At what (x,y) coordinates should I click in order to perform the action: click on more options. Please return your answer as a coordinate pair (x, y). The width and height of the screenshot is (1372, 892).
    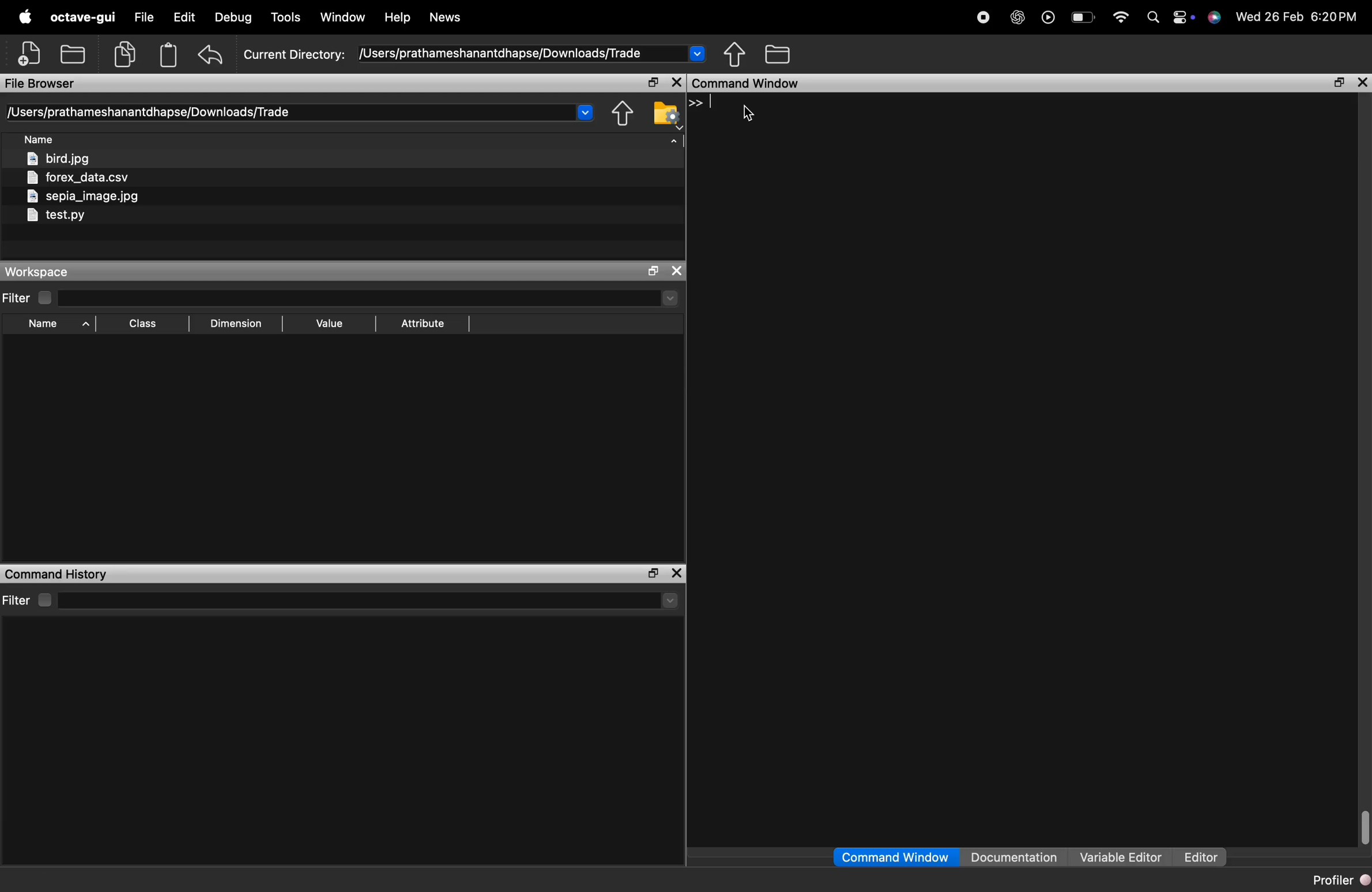
    Looking at the image, I should click on (1183, 16).